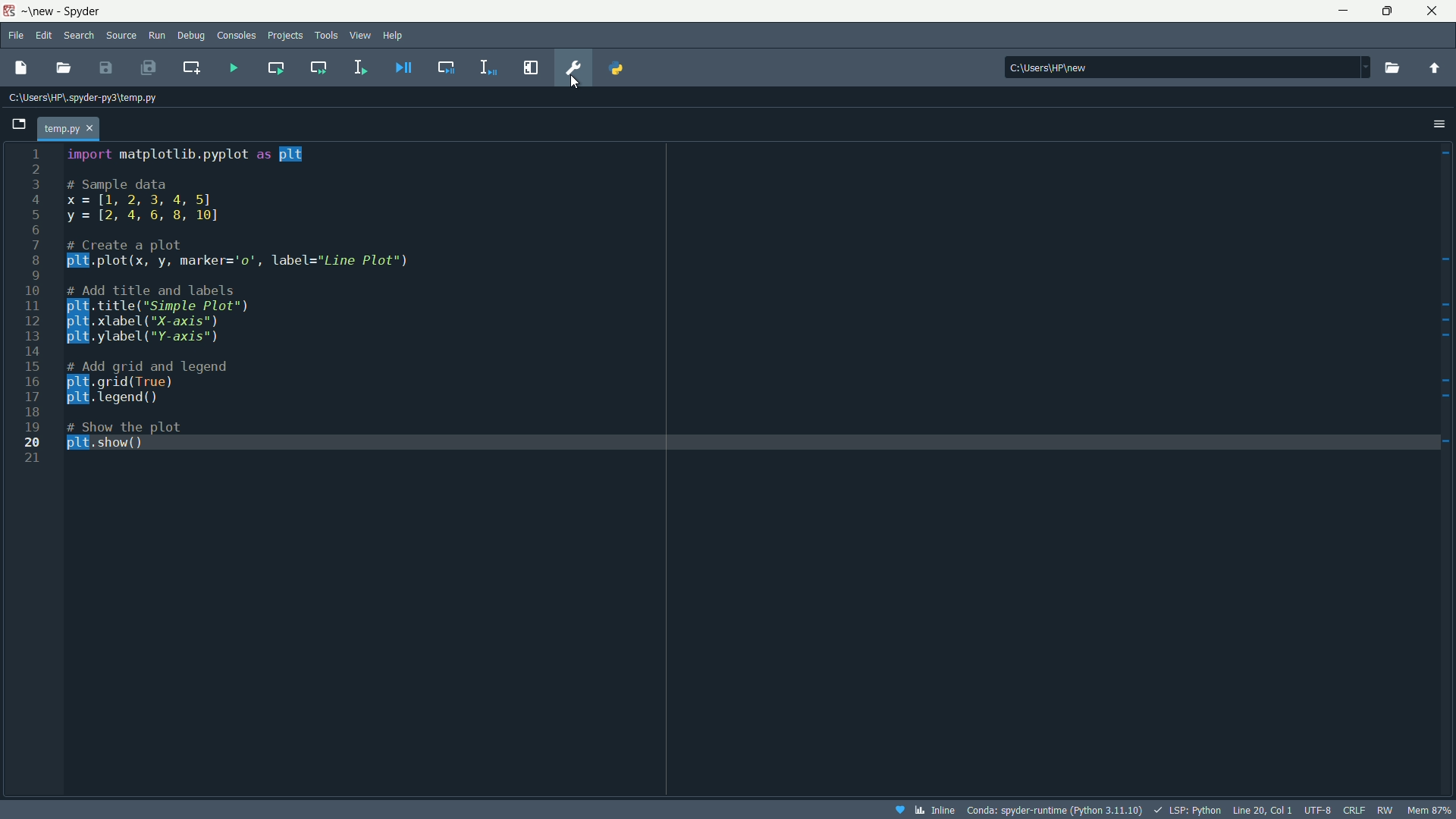 Image resolution: width=1456 pixels, height=819 pixels. Describe the element at coordinates (1188, 66) in the screenshot. I see `directory` at that location.